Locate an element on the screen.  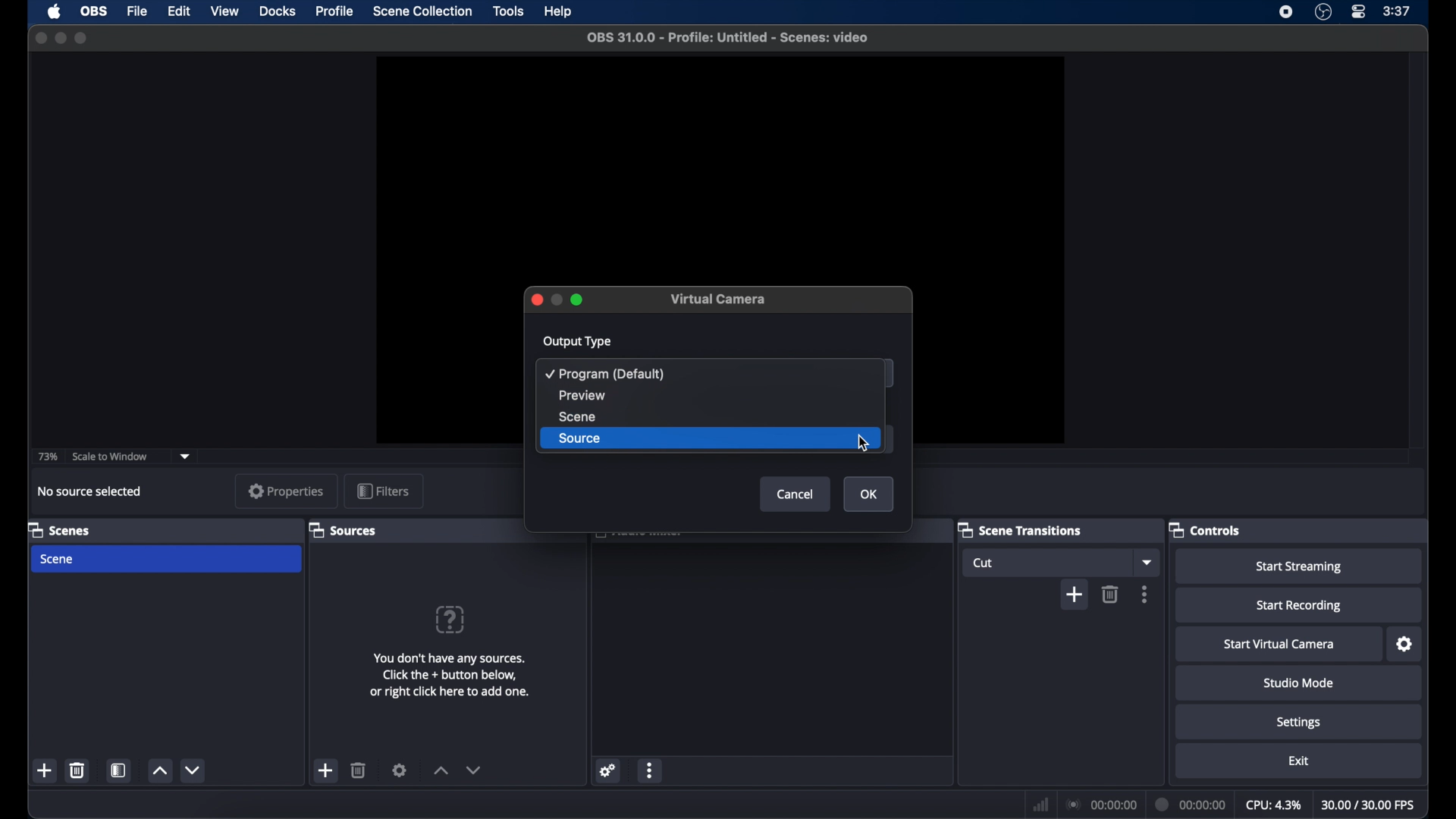
studio mode is located at coordinates (1301, 683).